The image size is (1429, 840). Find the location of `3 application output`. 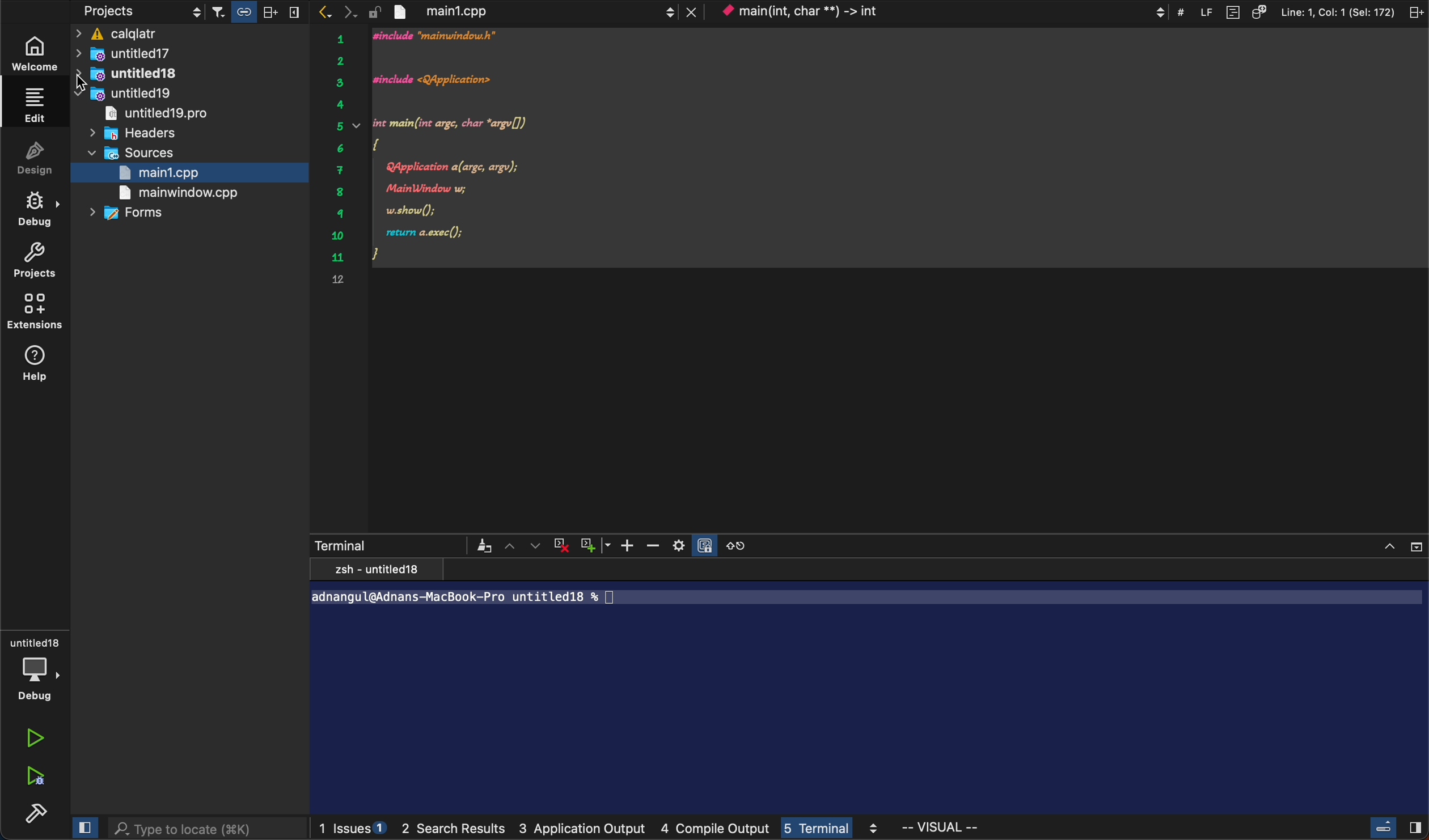

3 application output is located at coordinates (581, 828).